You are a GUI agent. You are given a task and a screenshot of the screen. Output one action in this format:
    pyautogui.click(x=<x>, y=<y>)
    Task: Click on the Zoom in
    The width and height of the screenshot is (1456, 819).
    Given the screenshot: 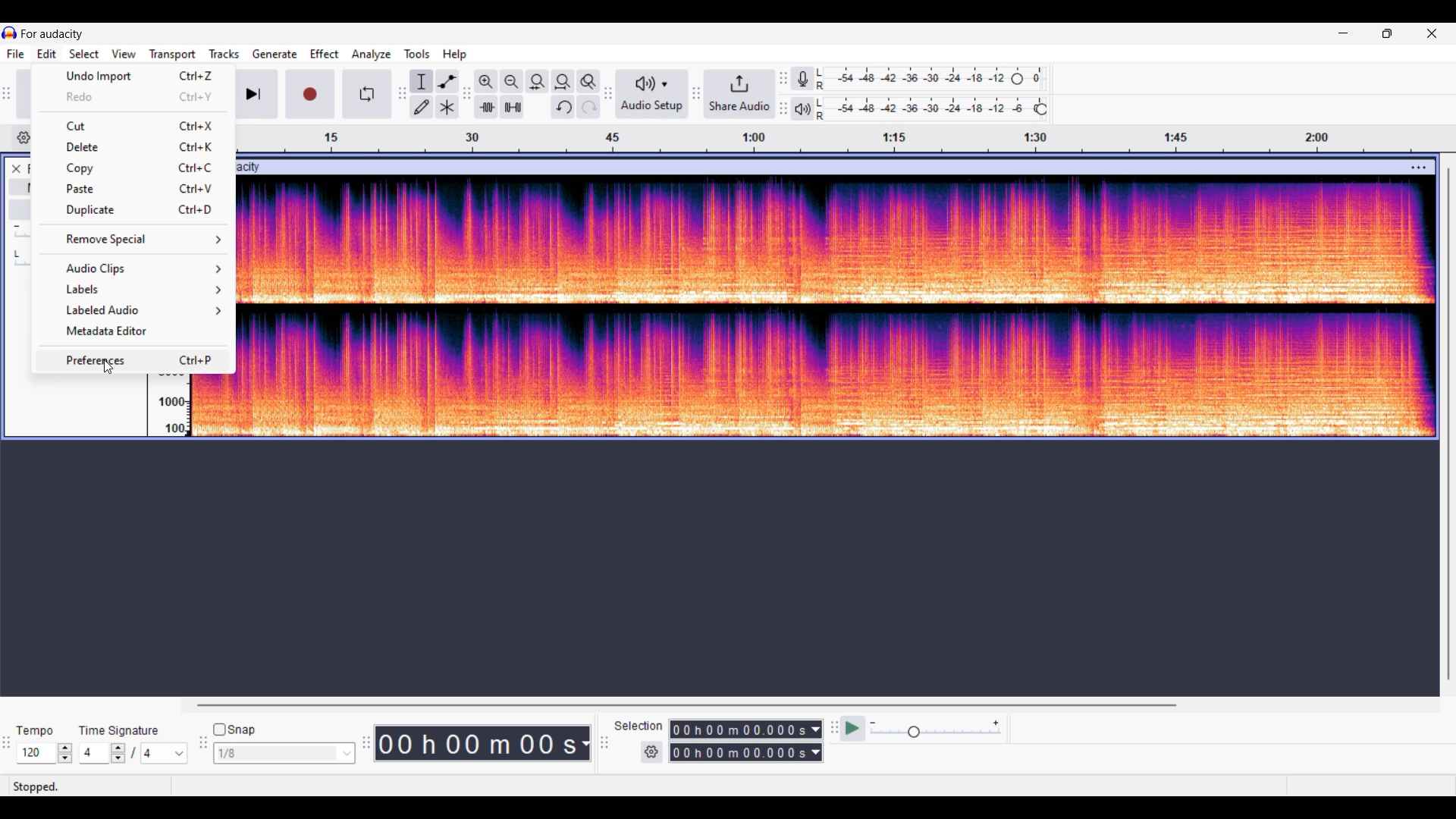 What is the action you would take?
    pyautogui.click(x=487, y=82)
    